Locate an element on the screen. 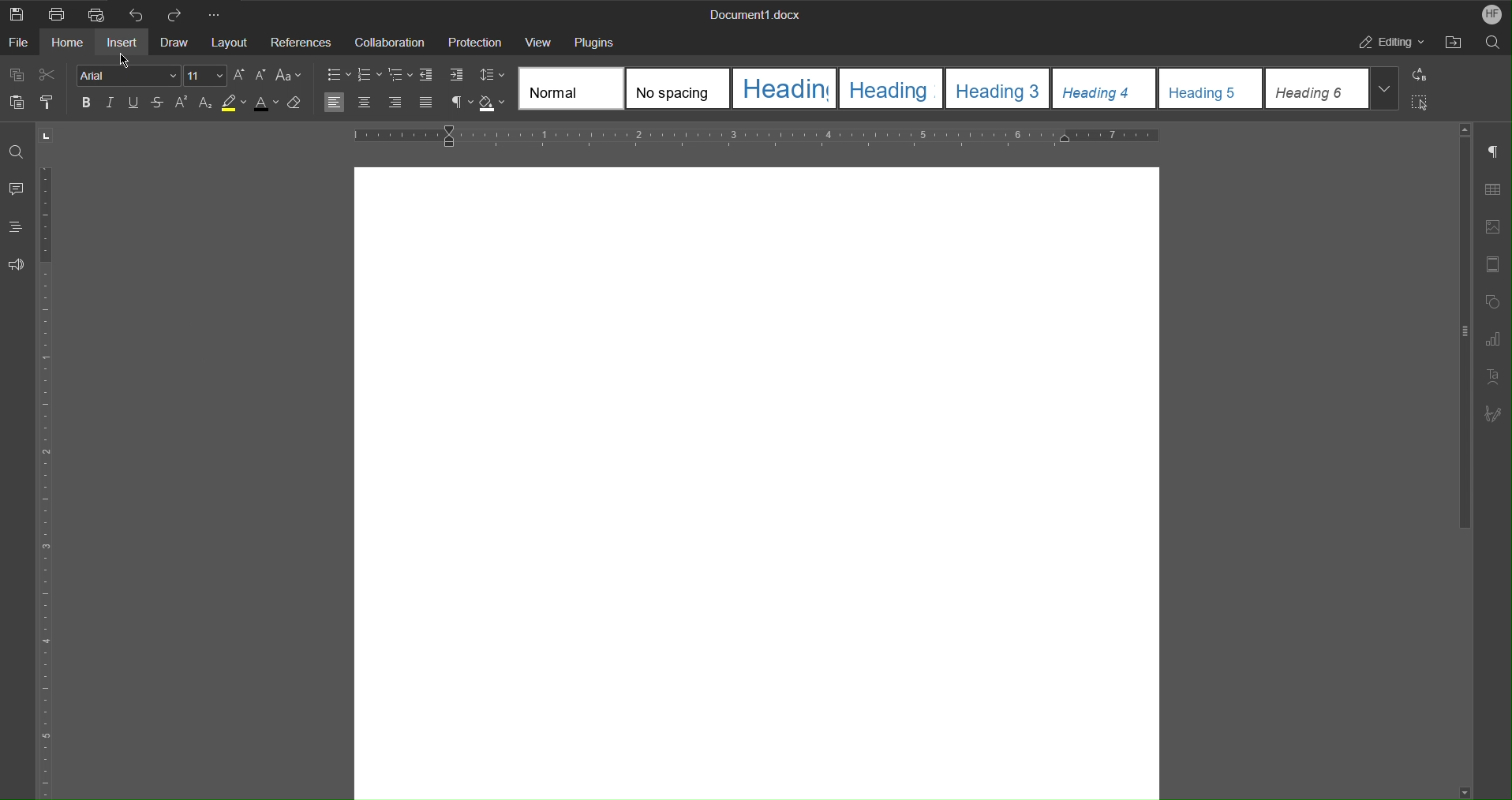  Font is located at coordinates (128, 76).